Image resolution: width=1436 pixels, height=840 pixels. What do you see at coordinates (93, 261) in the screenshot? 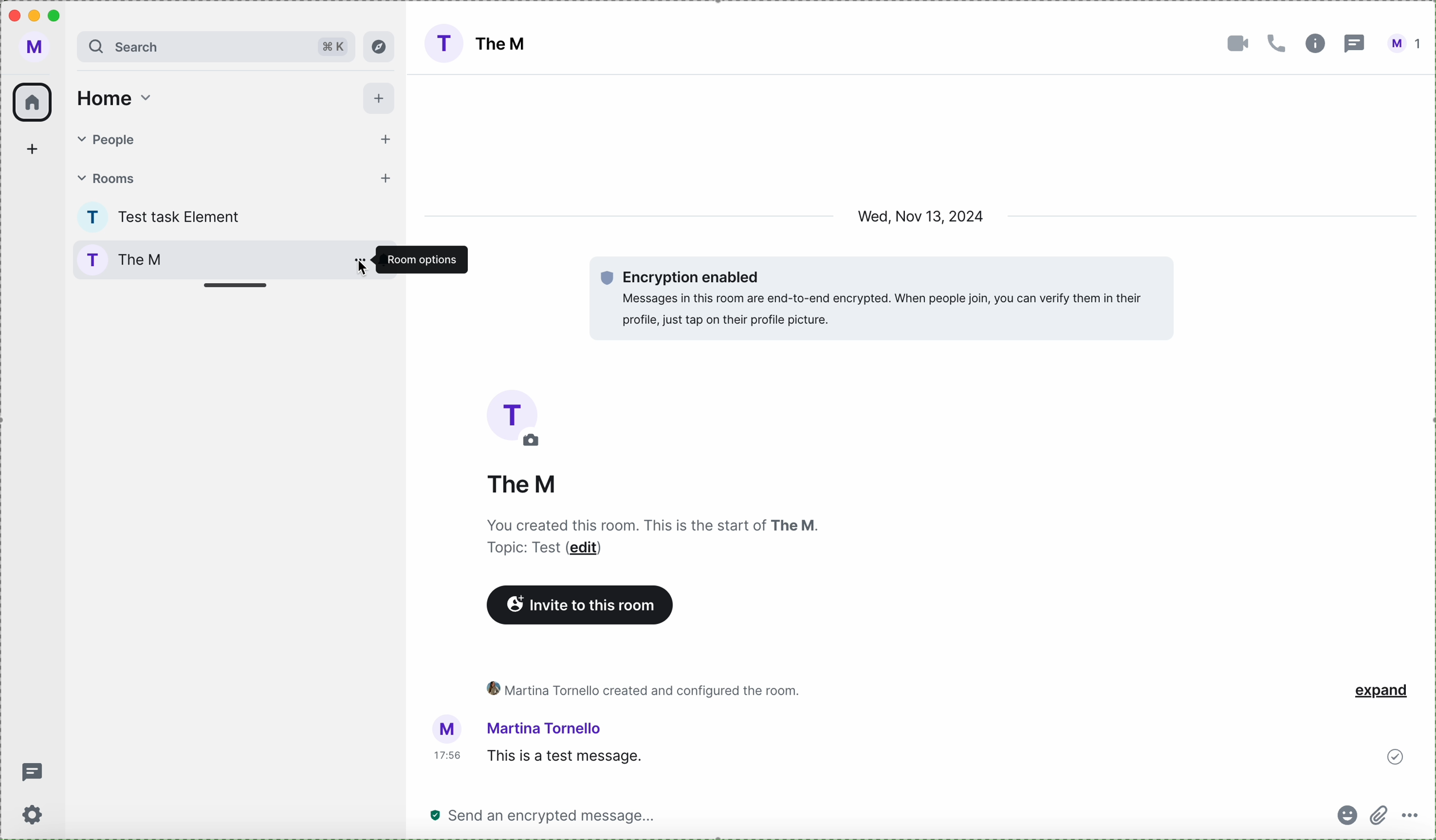
I see `profile` at bounding box center [93, 261].